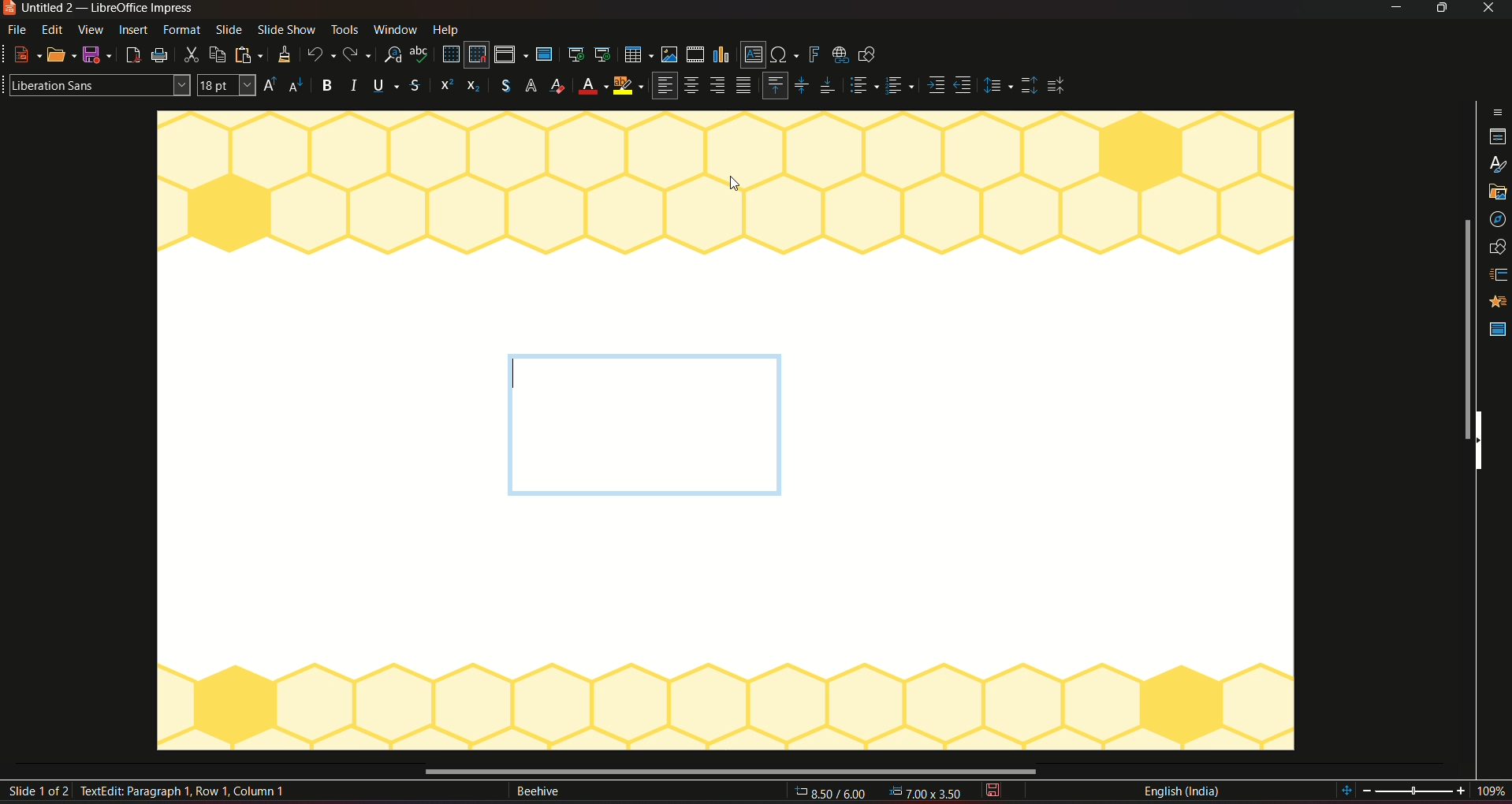 This screenshot has width=1512, height=804. What do you see at coordinates (99, 9) in the screenshot?
I see `Untitled 2 — LibreOffice Impress` at bounding box center [99, 9].